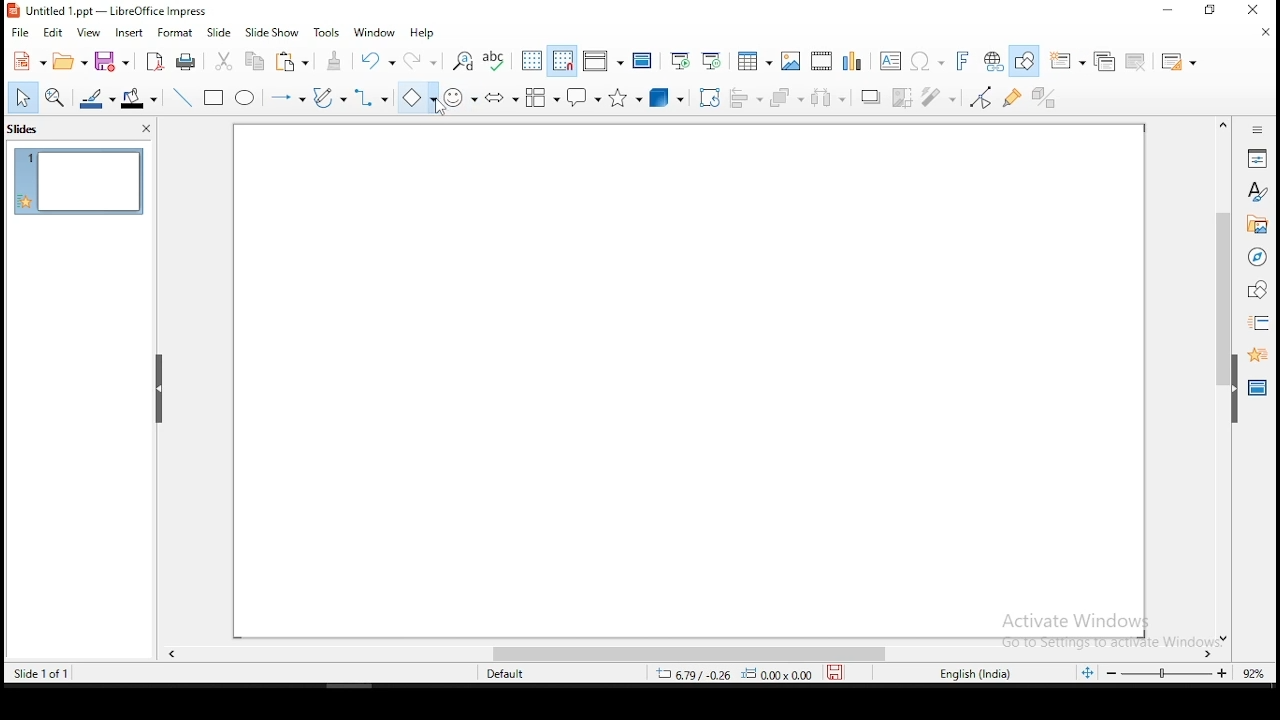 Image resolution: width=1280 pixels, height=720 pixels. What do you see at coordinates (220, 30) in the screenshot?
I see `slide` at bounding box center [220, 30].